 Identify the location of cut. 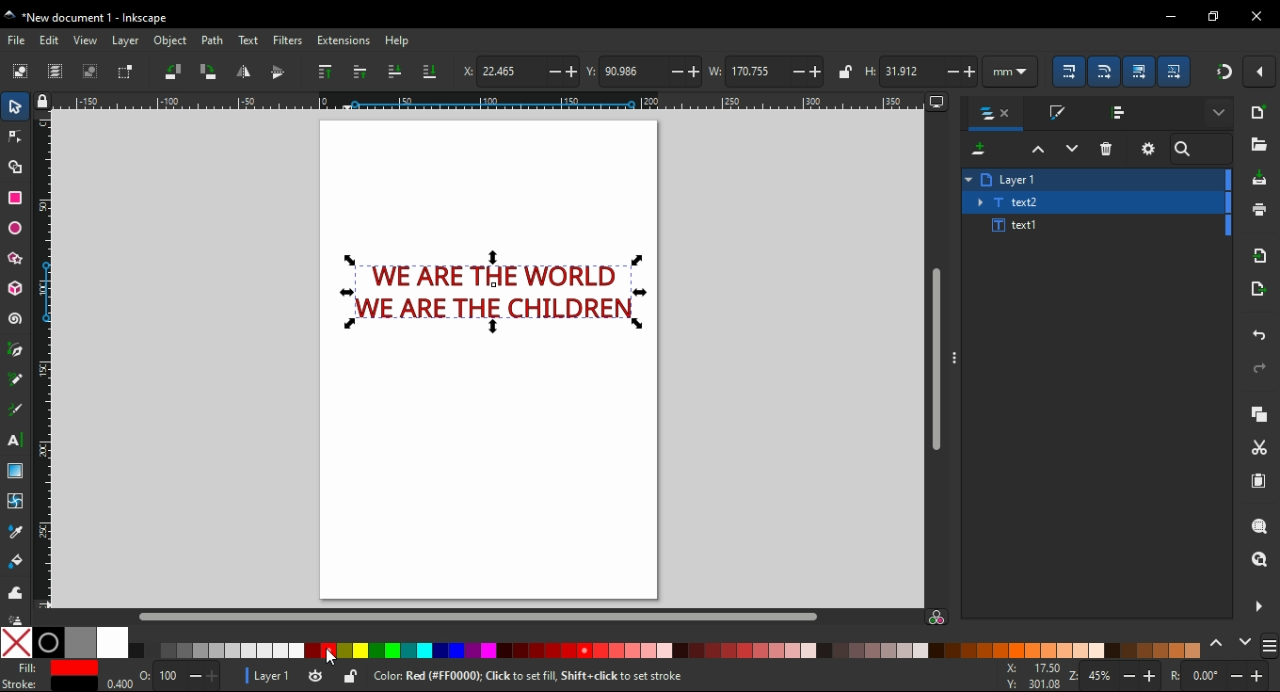
(1262, 449).